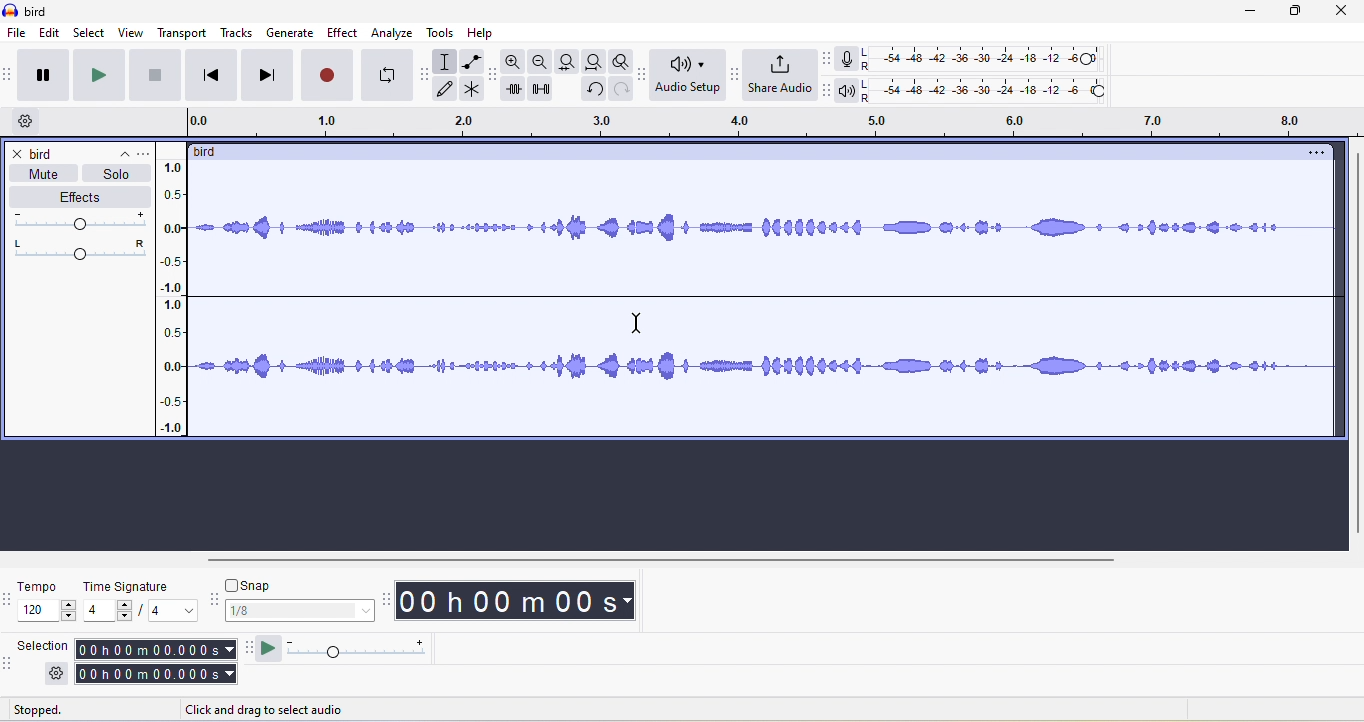 The image size is (1364, 722). What do you see at coordinates (117, 150) in the screenshot?
I see `collapse` at bounding box center [117, 150].